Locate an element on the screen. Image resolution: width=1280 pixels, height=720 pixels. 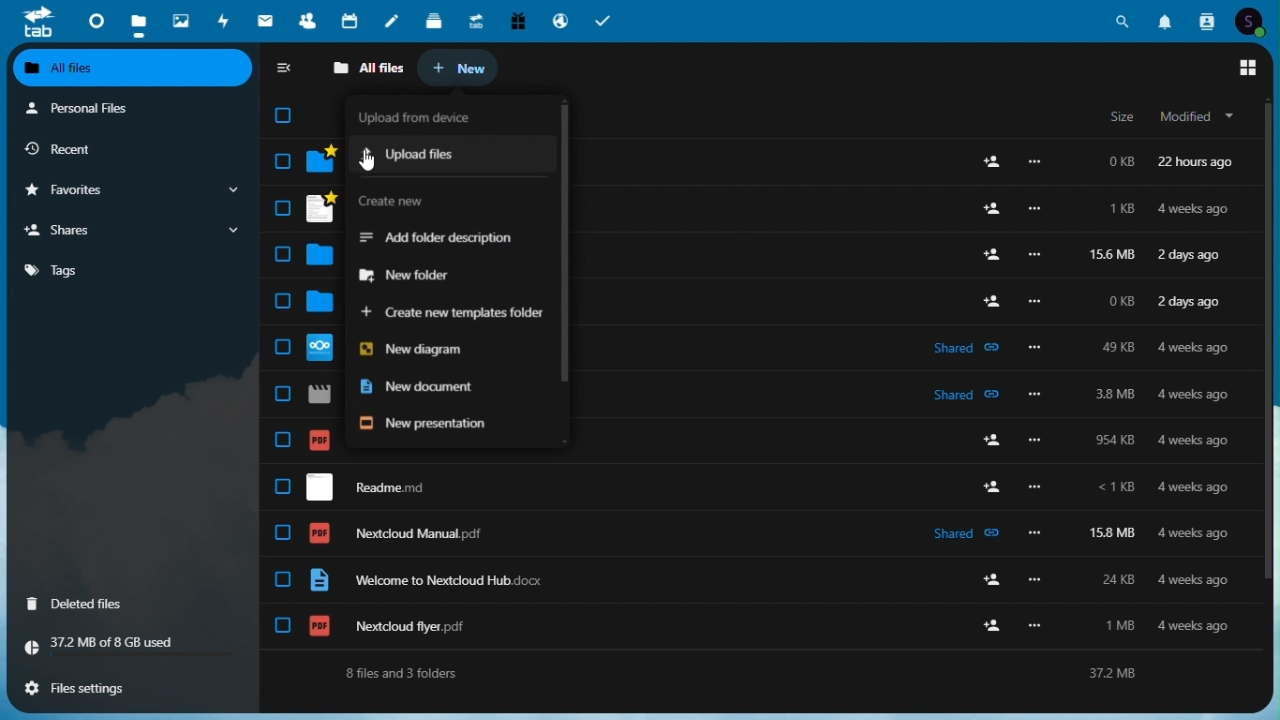
scroll bar is located at coordinates (566, 245).